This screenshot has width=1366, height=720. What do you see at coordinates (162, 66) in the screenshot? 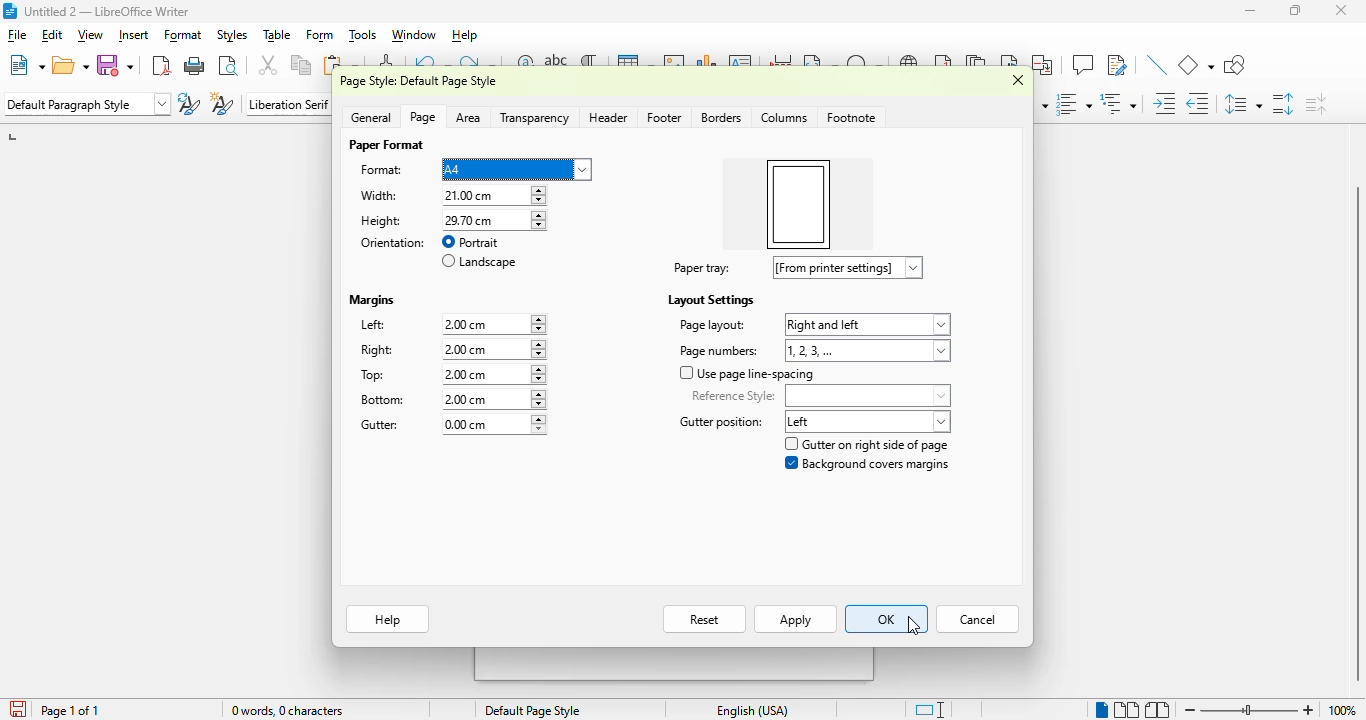
I see `export directly as PDF` at bounding box center [162, 66].